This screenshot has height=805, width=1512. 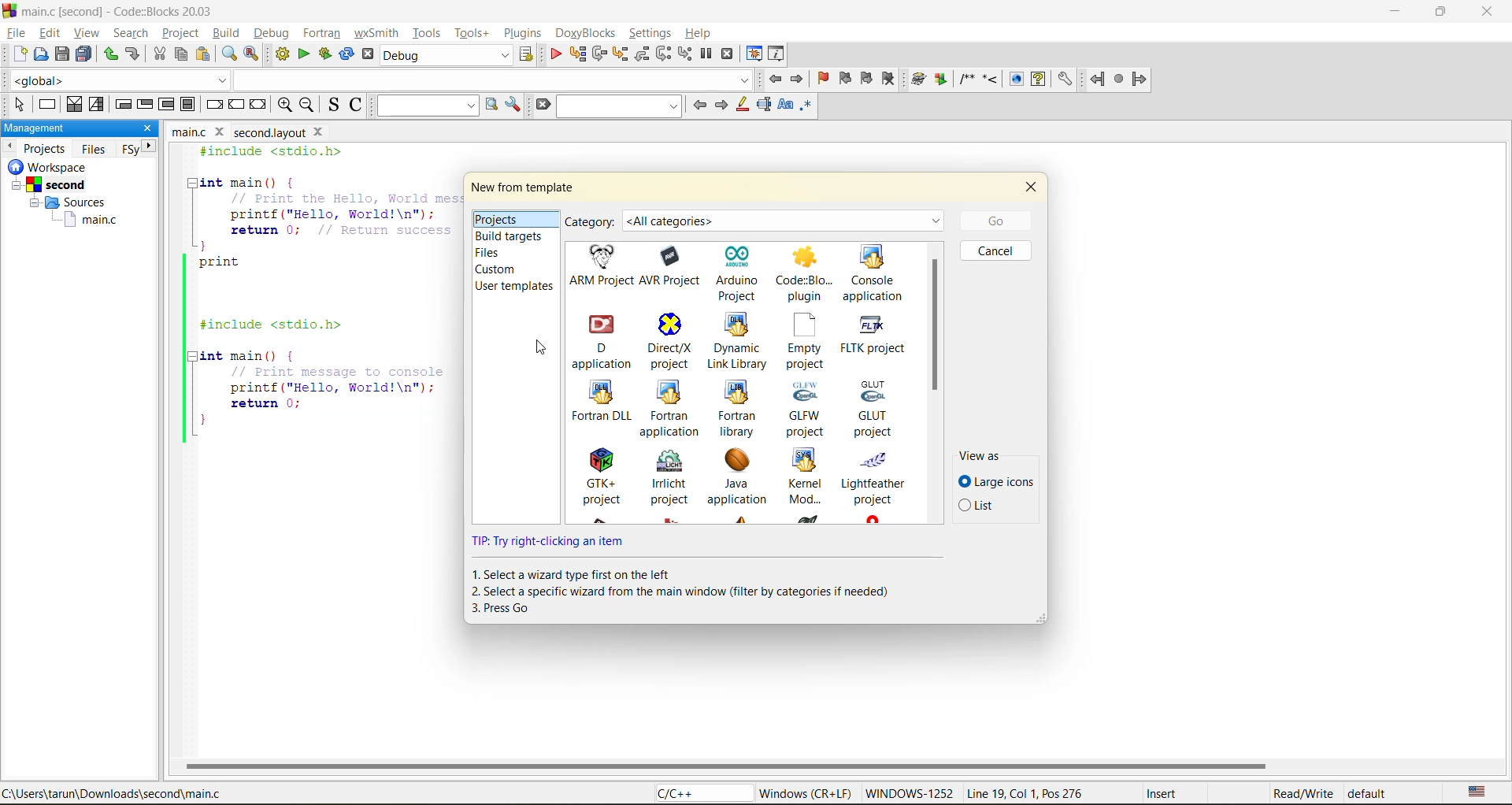 I want to click on projects, so click(x=506, y=217).